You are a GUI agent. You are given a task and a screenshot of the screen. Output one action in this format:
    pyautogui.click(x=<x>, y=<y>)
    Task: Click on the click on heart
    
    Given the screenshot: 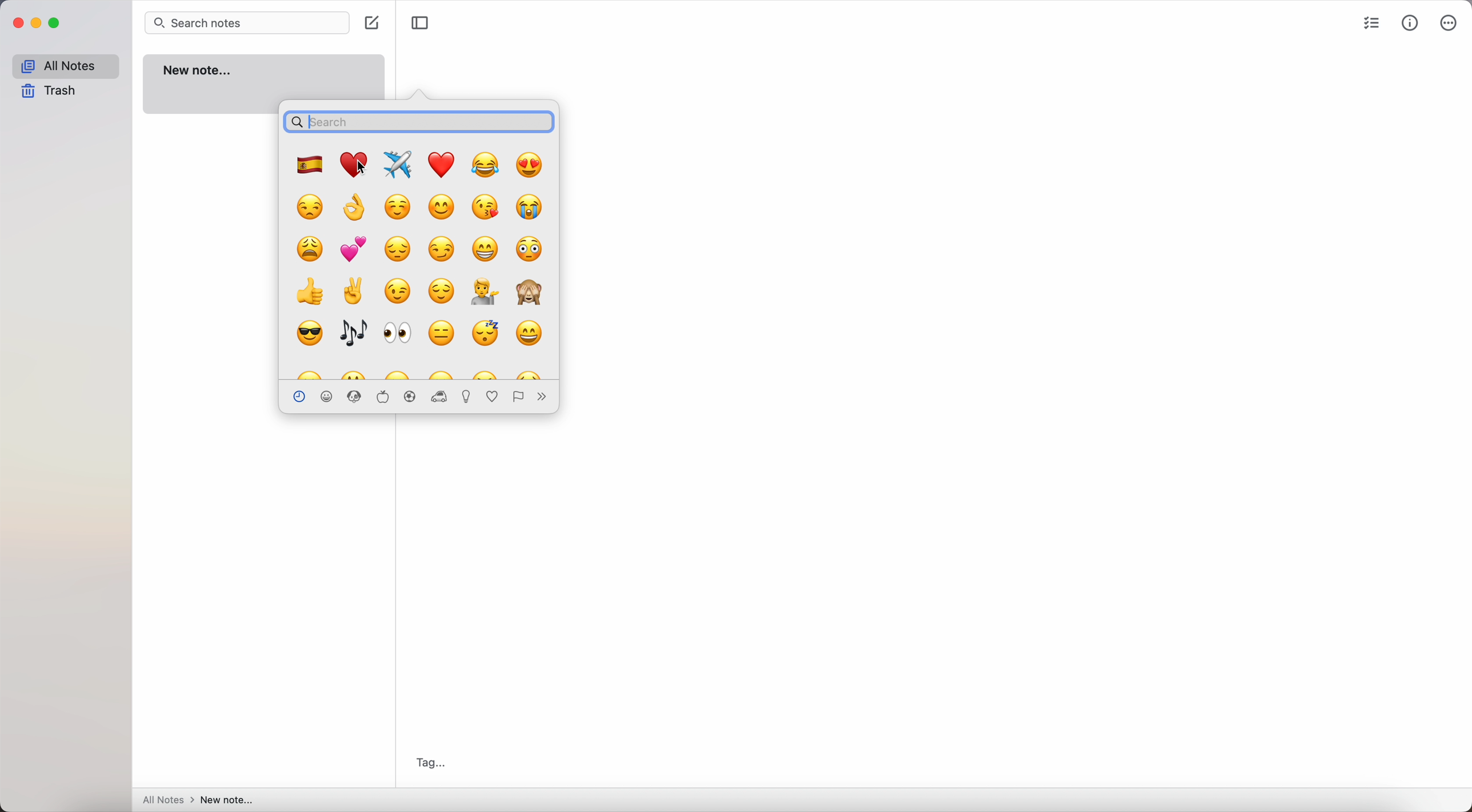 What is the action you would take?
    pyautogui.click(x=354, y=163)
    